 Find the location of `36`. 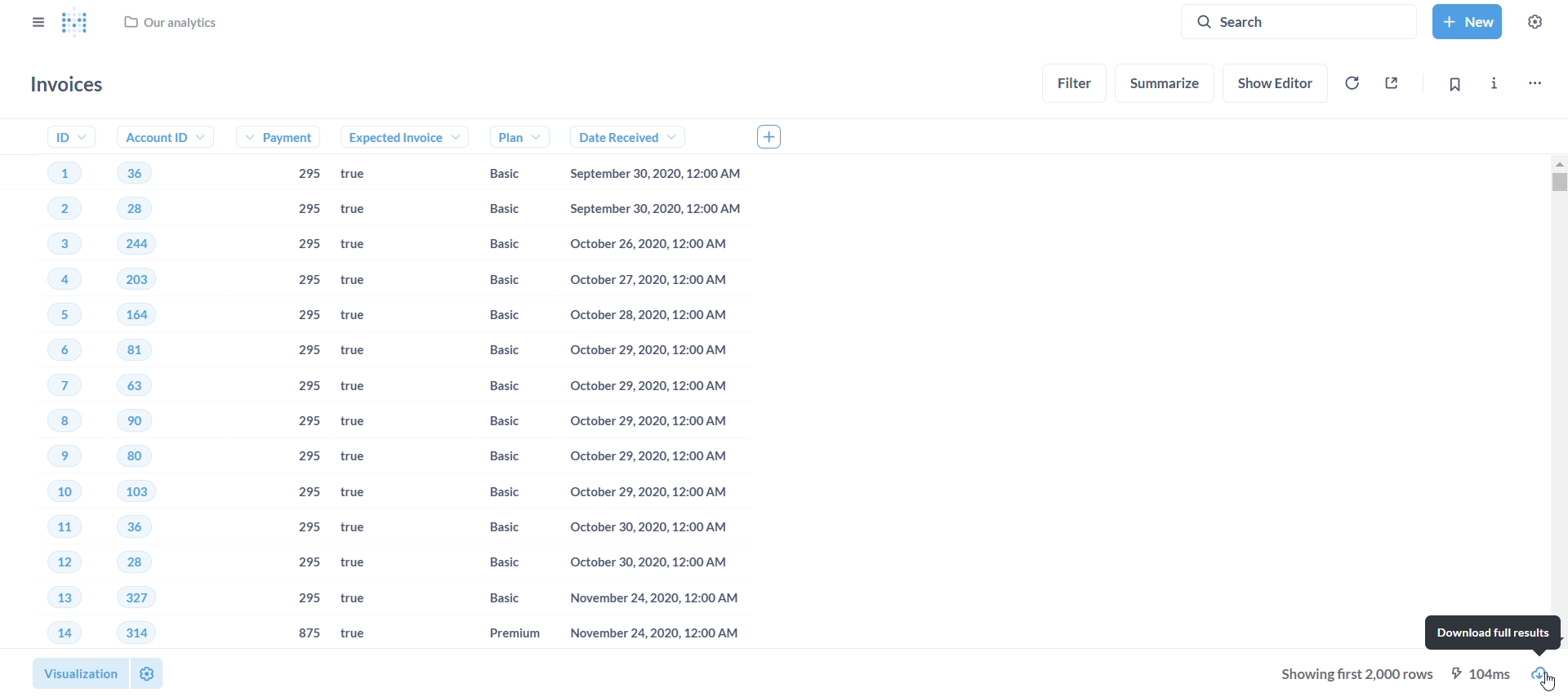

36 is located at coordinates (127, 526).